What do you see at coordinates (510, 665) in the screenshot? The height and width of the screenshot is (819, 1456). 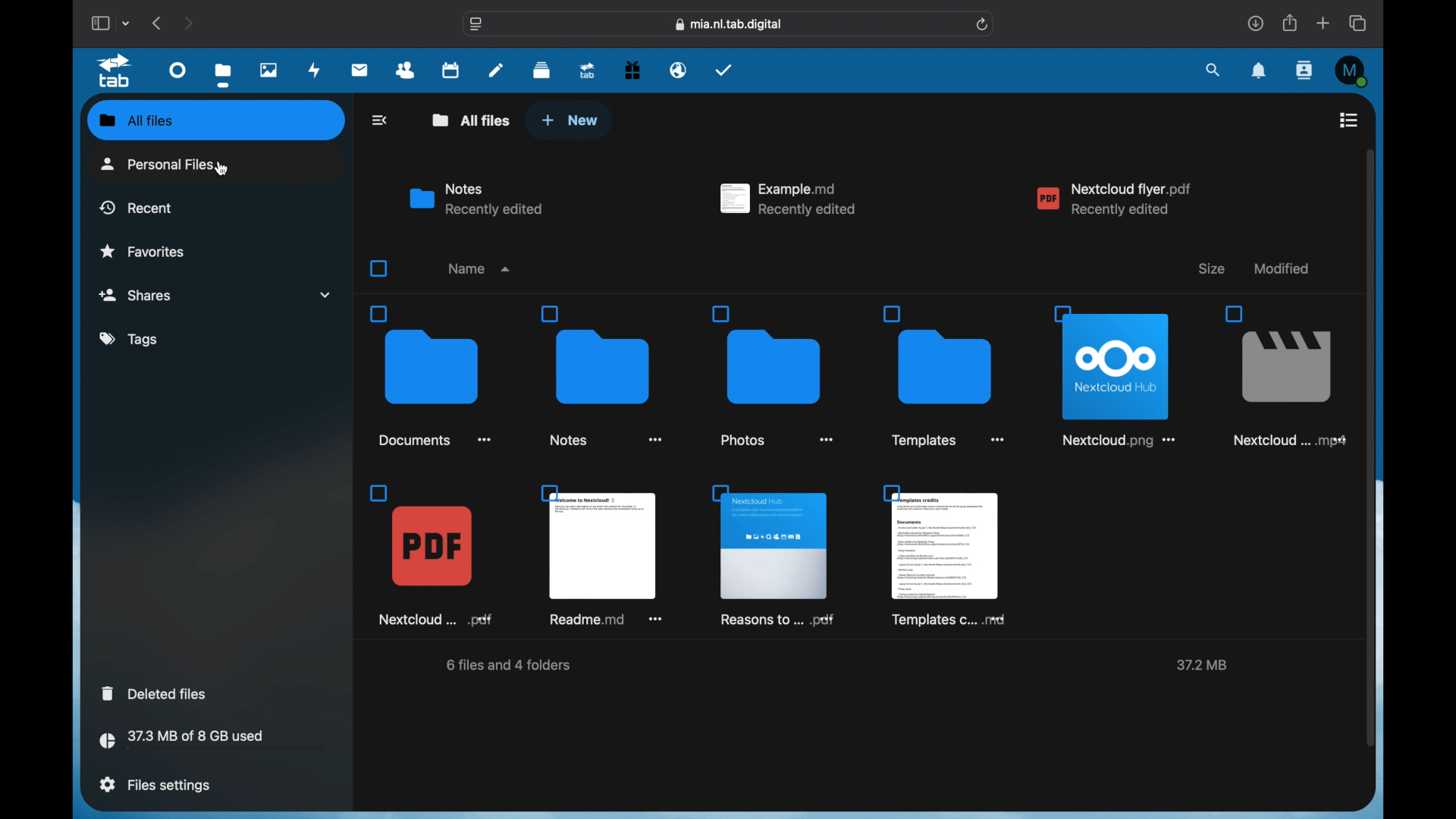 I see `6 files and 4 folders` at bounding box center [510, 665].